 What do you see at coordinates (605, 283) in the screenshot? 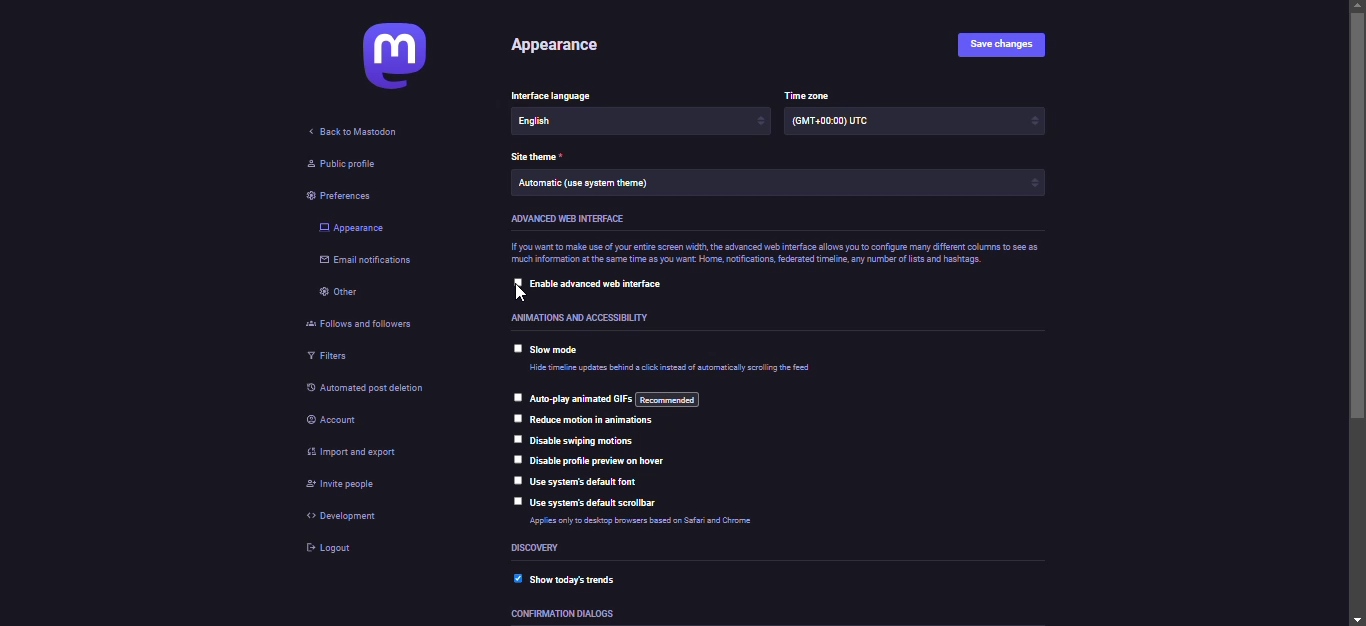
I see `enable advanced web interface` at bounding box center [605, 283].